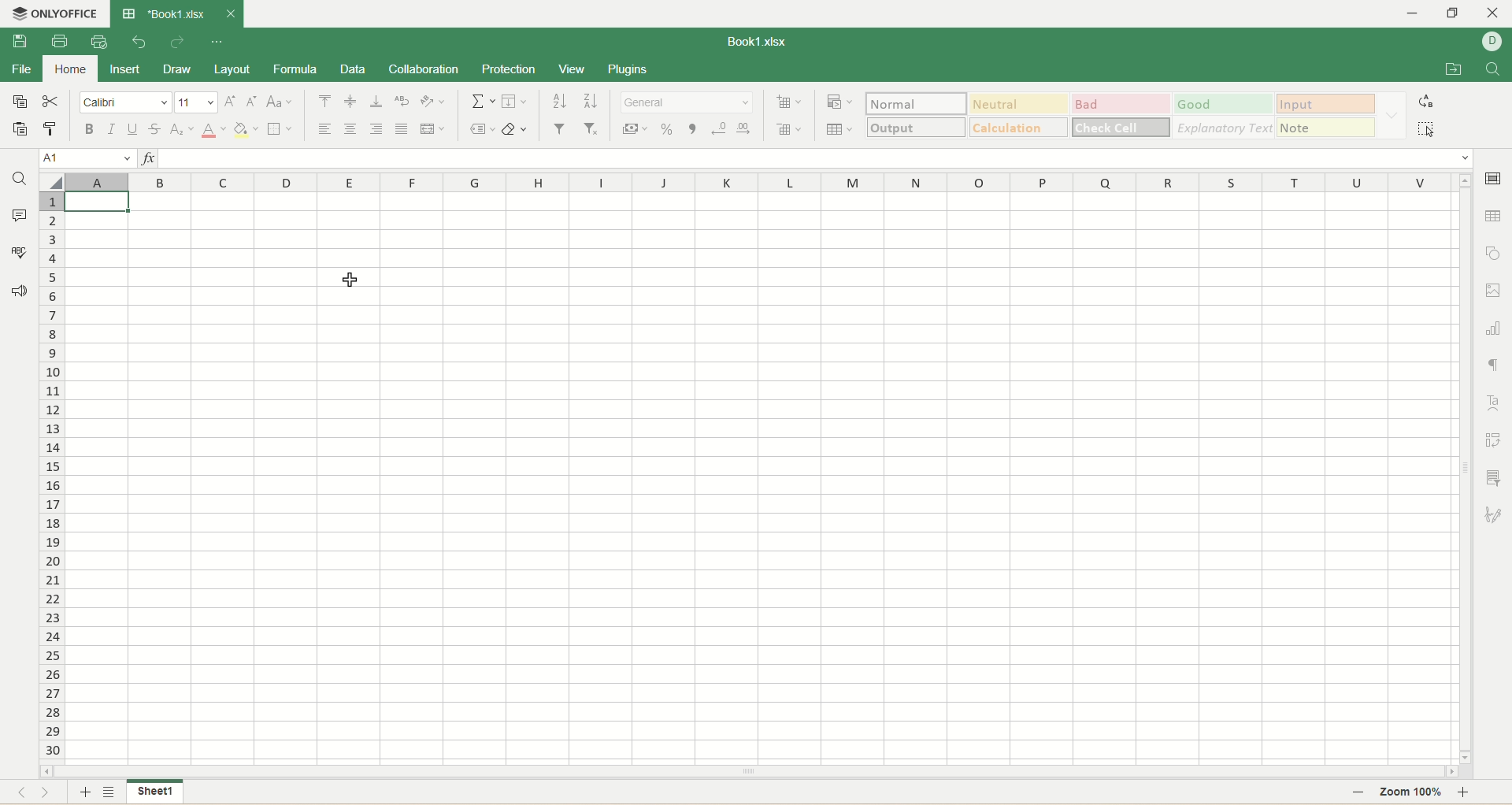 Image resolution: width=1512 pixels, height=805 pixels. What do you see at coordinates (350, 102) in the screenshot?
I see `align middle` at bounding box center [350, 102].